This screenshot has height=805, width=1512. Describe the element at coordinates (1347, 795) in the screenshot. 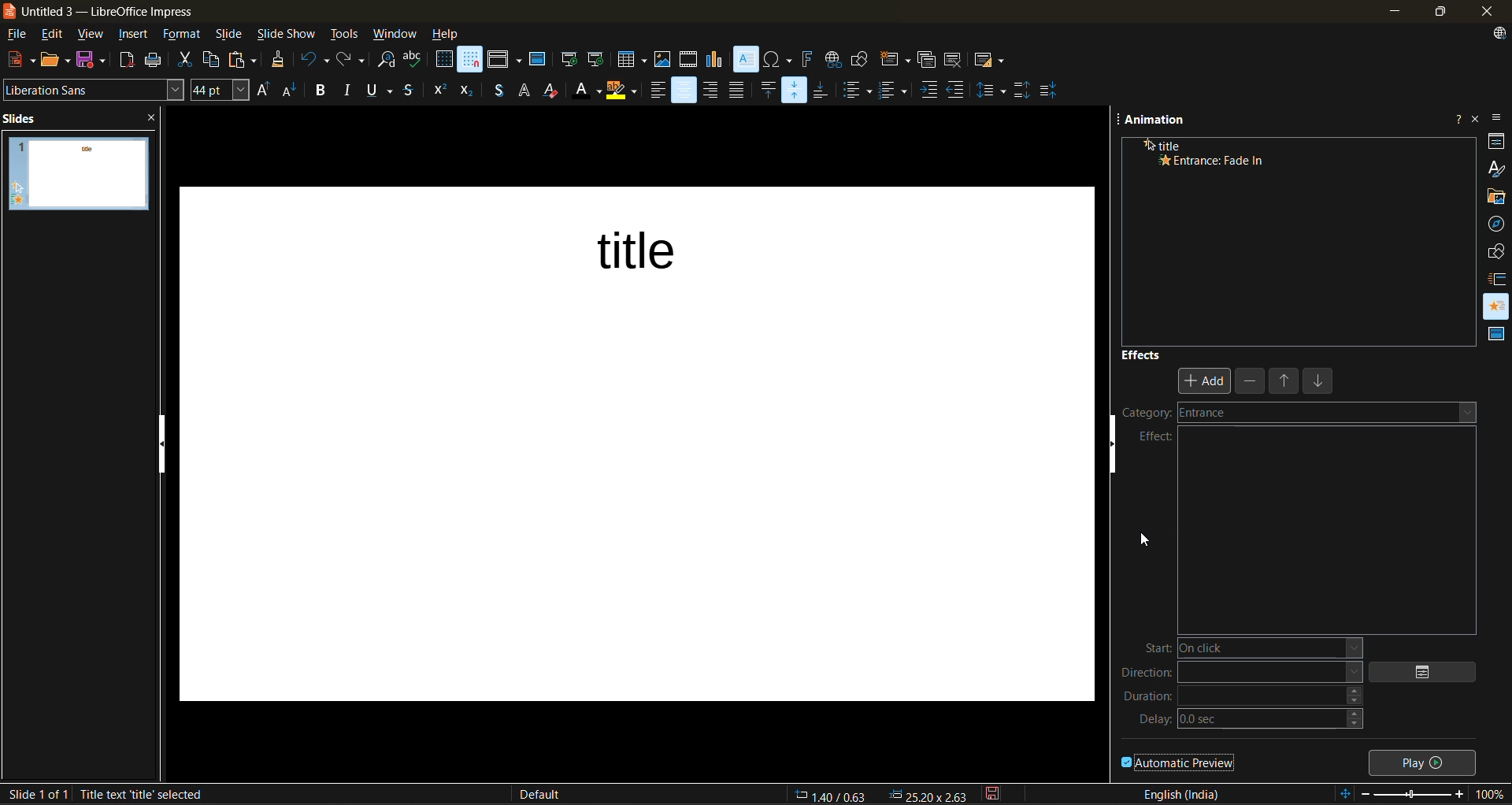

I see `fit to slide` at that location.